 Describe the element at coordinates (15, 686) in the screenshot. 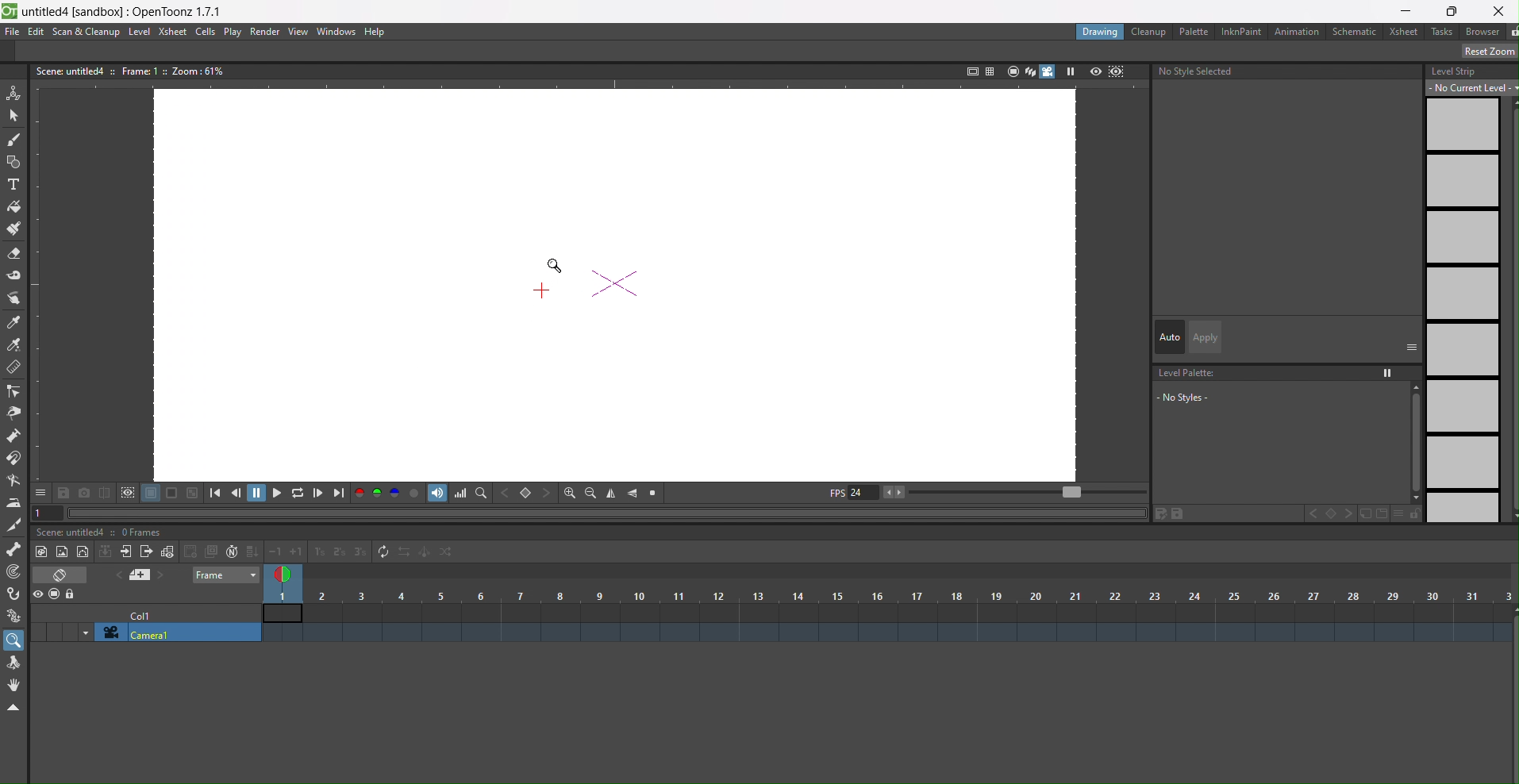

I see `` at that location.